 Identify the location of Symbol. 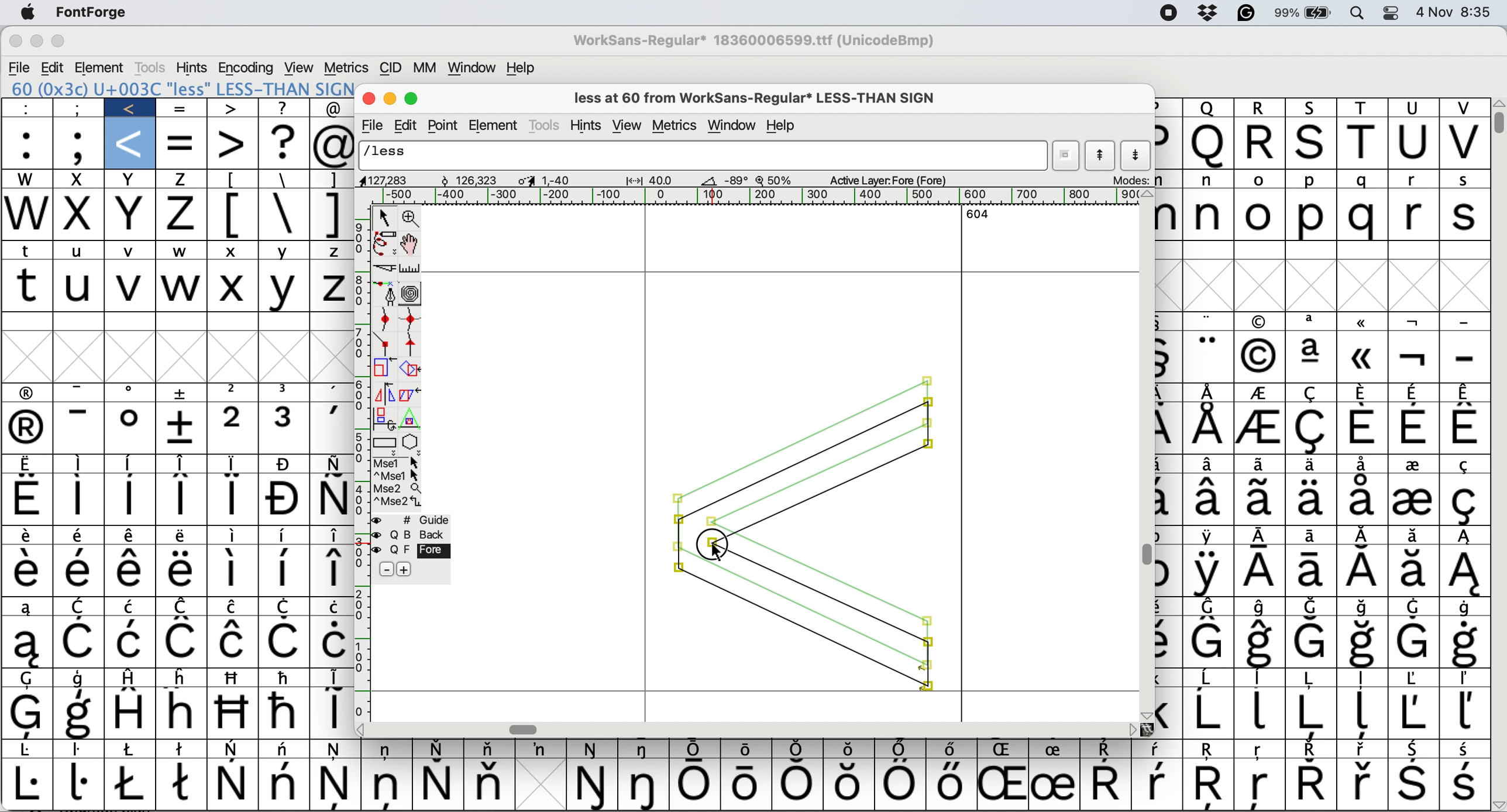
(1361, 465).